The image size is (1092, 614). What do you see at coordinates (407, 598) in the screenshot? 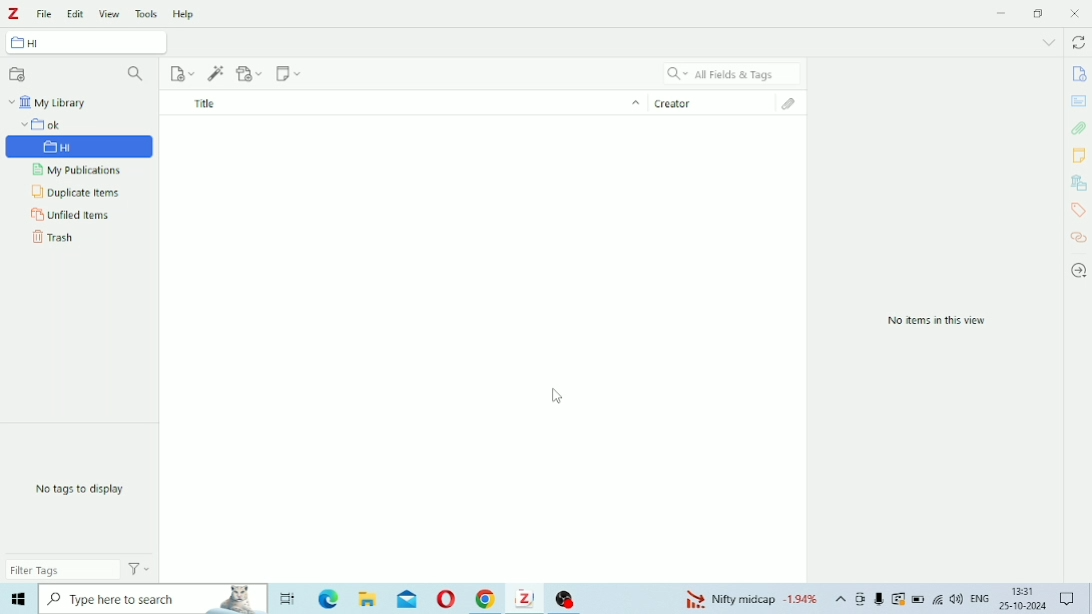
I see `Mail` at bounding box center [407, 598].